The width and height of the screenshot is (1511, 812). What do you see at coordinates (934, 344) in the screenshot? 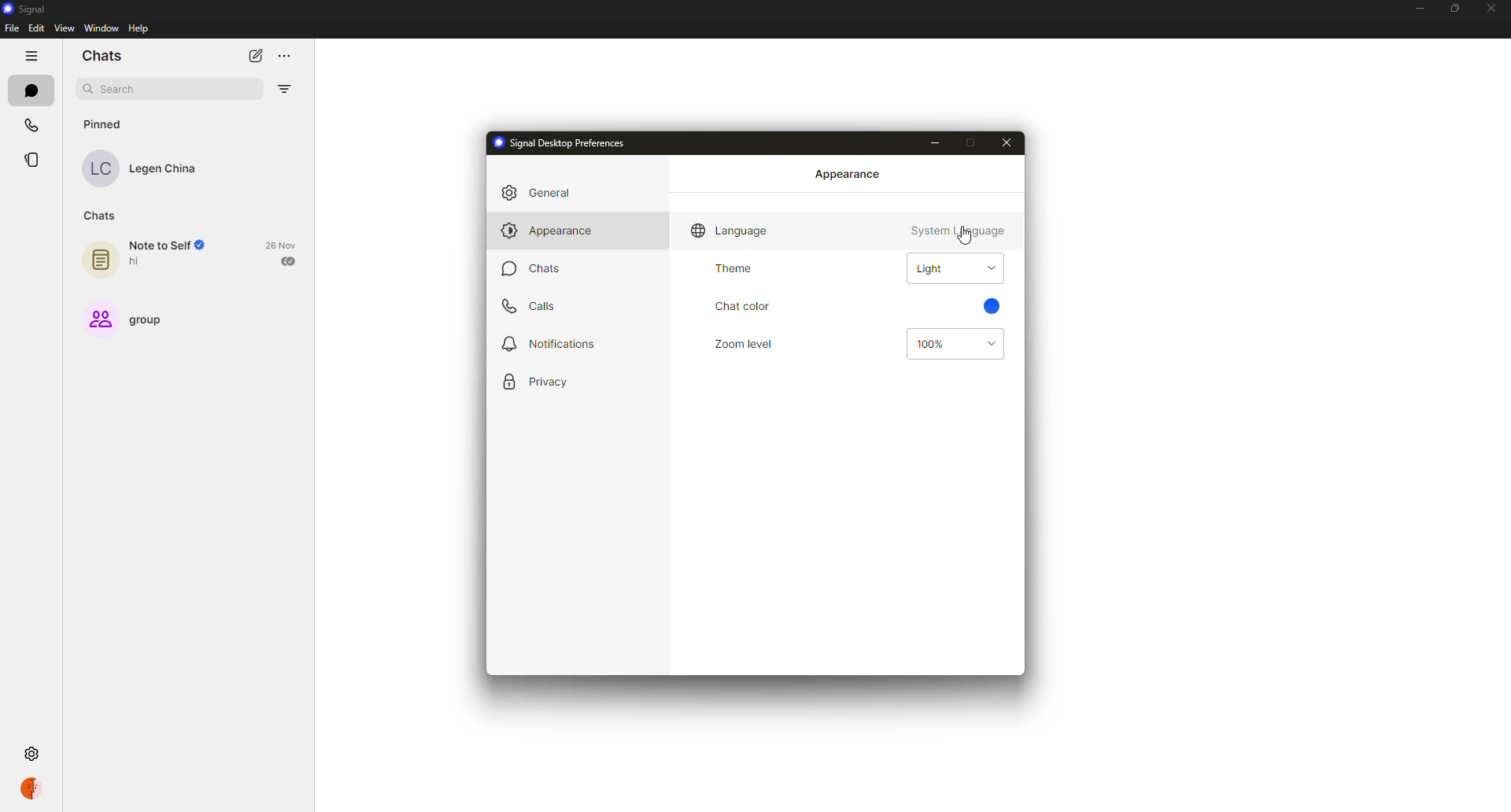
I see `100` at bounding box center [934, 344].